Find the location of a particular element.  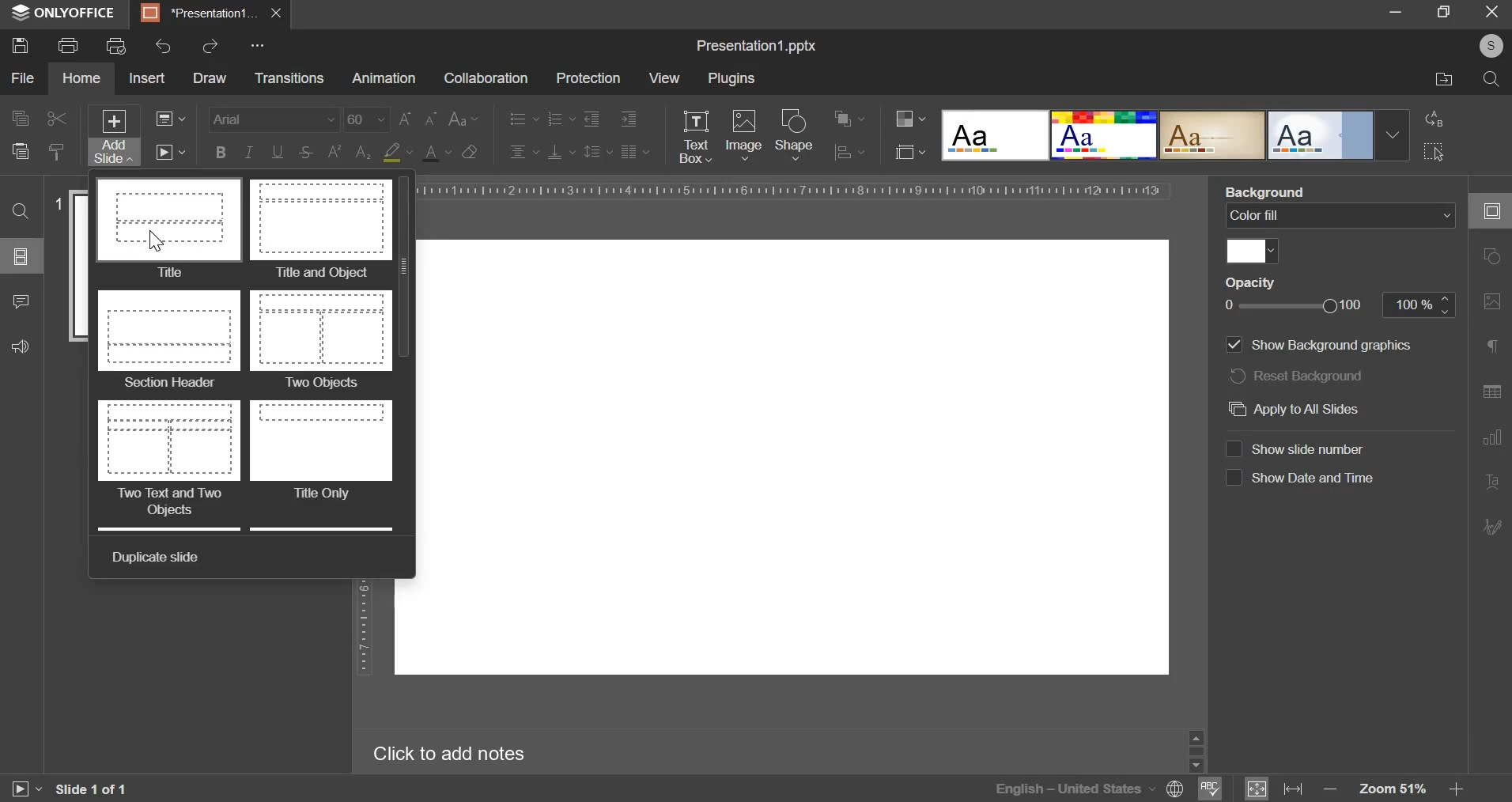

apply to all slides is located at coordinates (1295, 409).